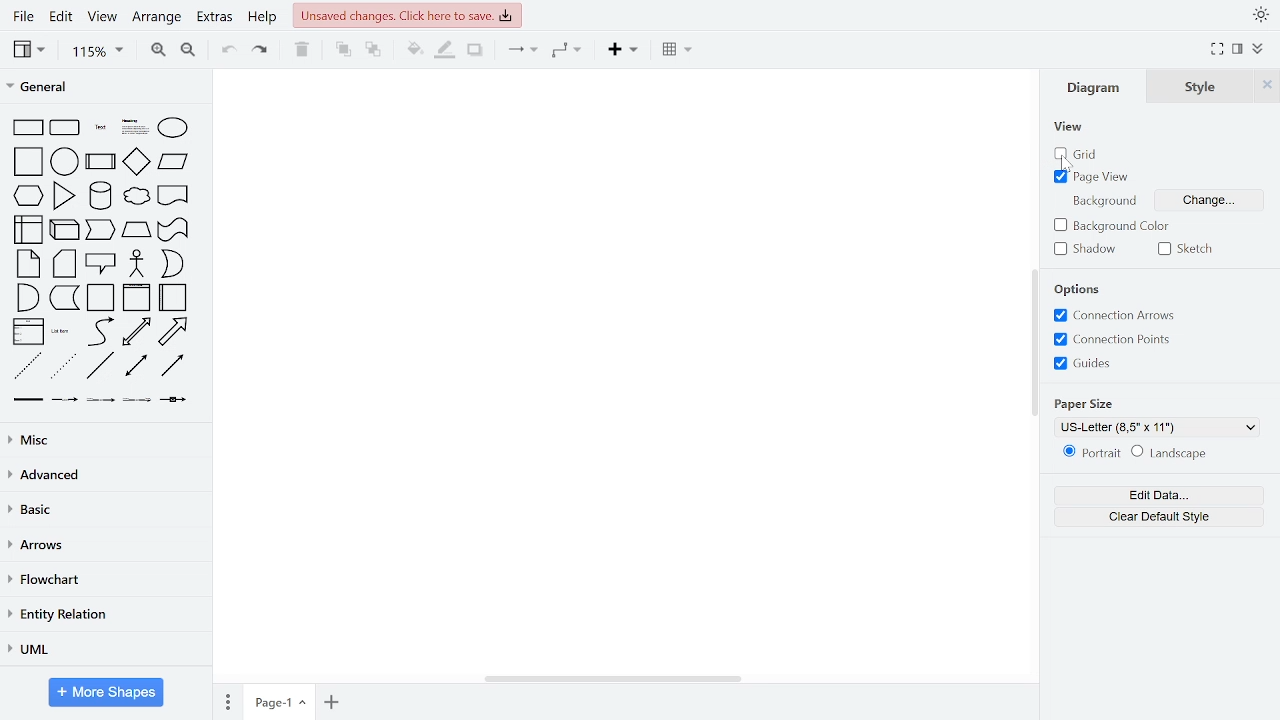 The width and height of the screenshot is (1280, 720). I want to click on arrange, so click(160, 17).